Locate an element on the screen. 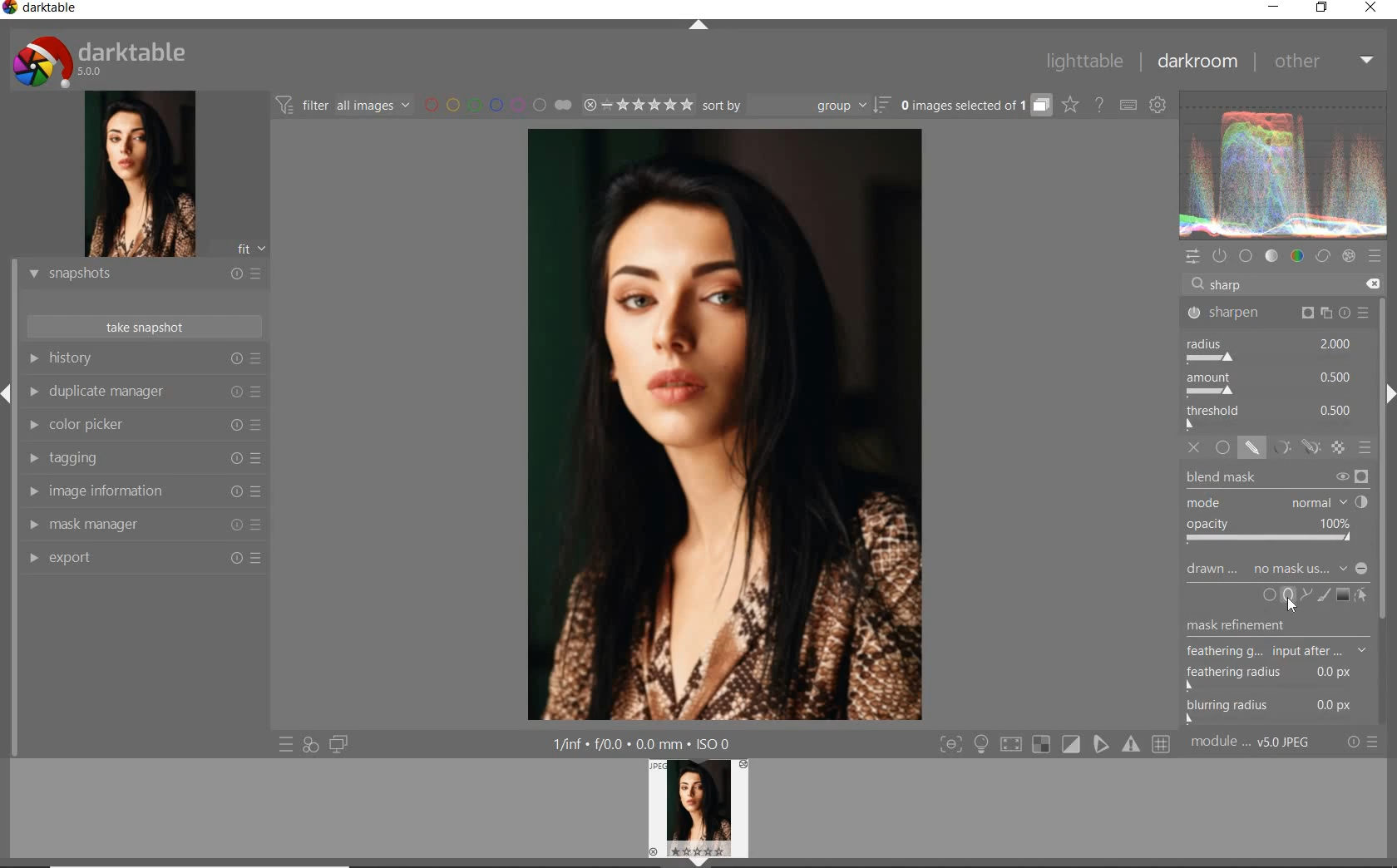 The image size is (1397, 868). expand/collapse is located at coordinates (700, 26).